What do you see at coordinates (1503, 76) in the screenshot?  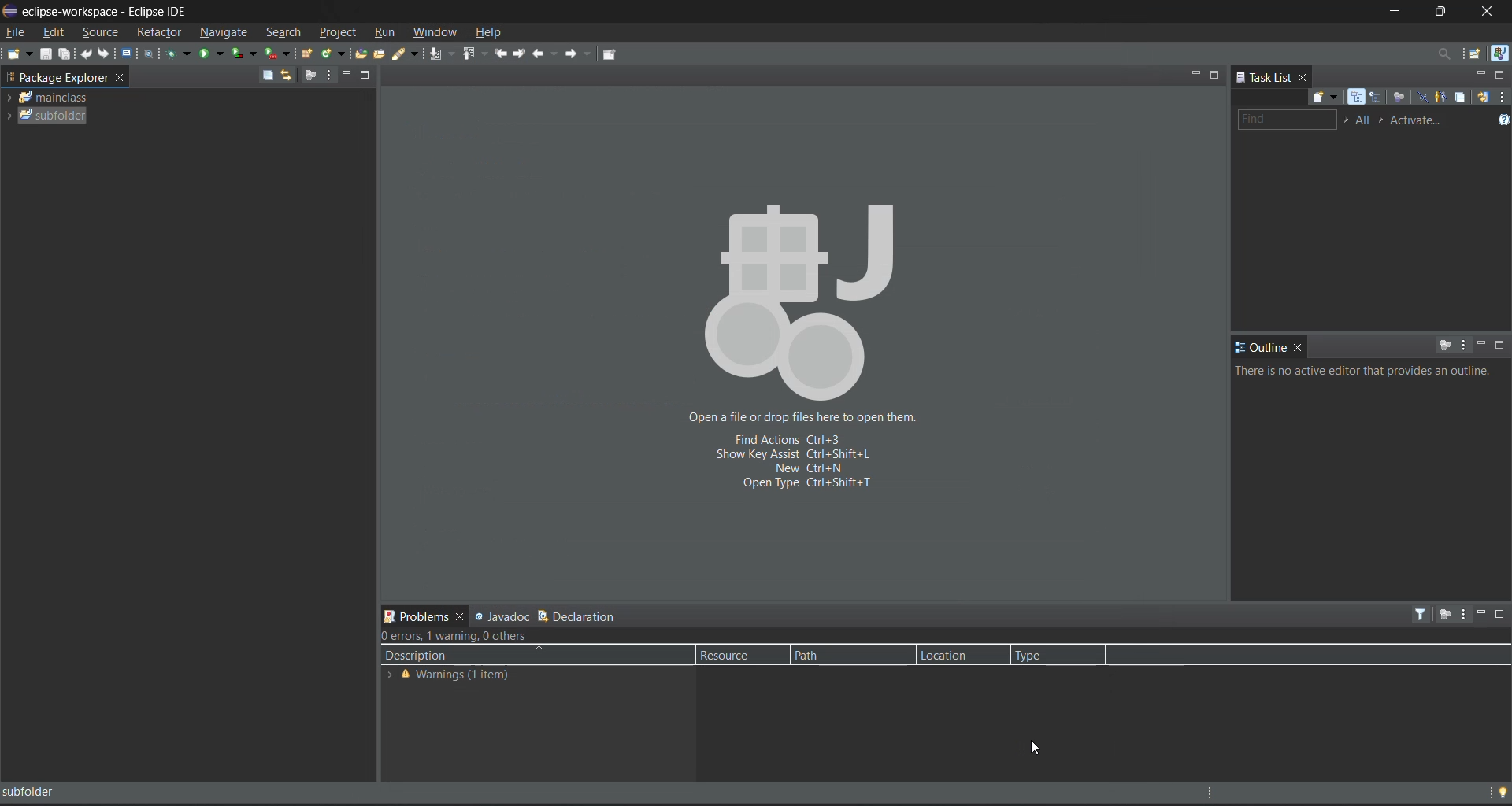 I see `maximize` at bounding box center [1503, 76].